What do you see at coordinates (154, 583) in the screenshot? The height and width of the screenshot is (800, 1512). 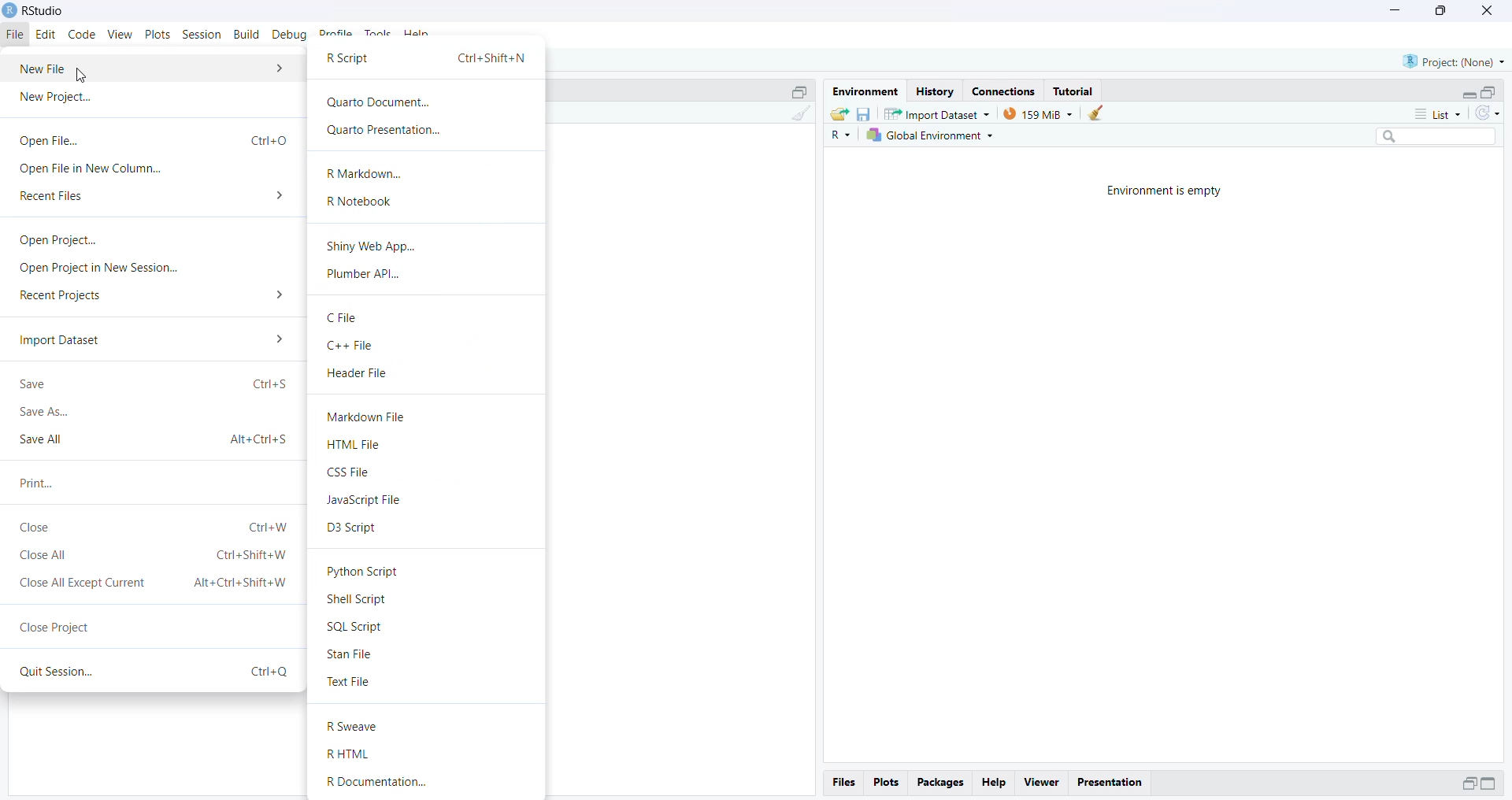 I see `Close All Except Current Alt+Ctrl+Shift+W` at bounding box center [154, 583].